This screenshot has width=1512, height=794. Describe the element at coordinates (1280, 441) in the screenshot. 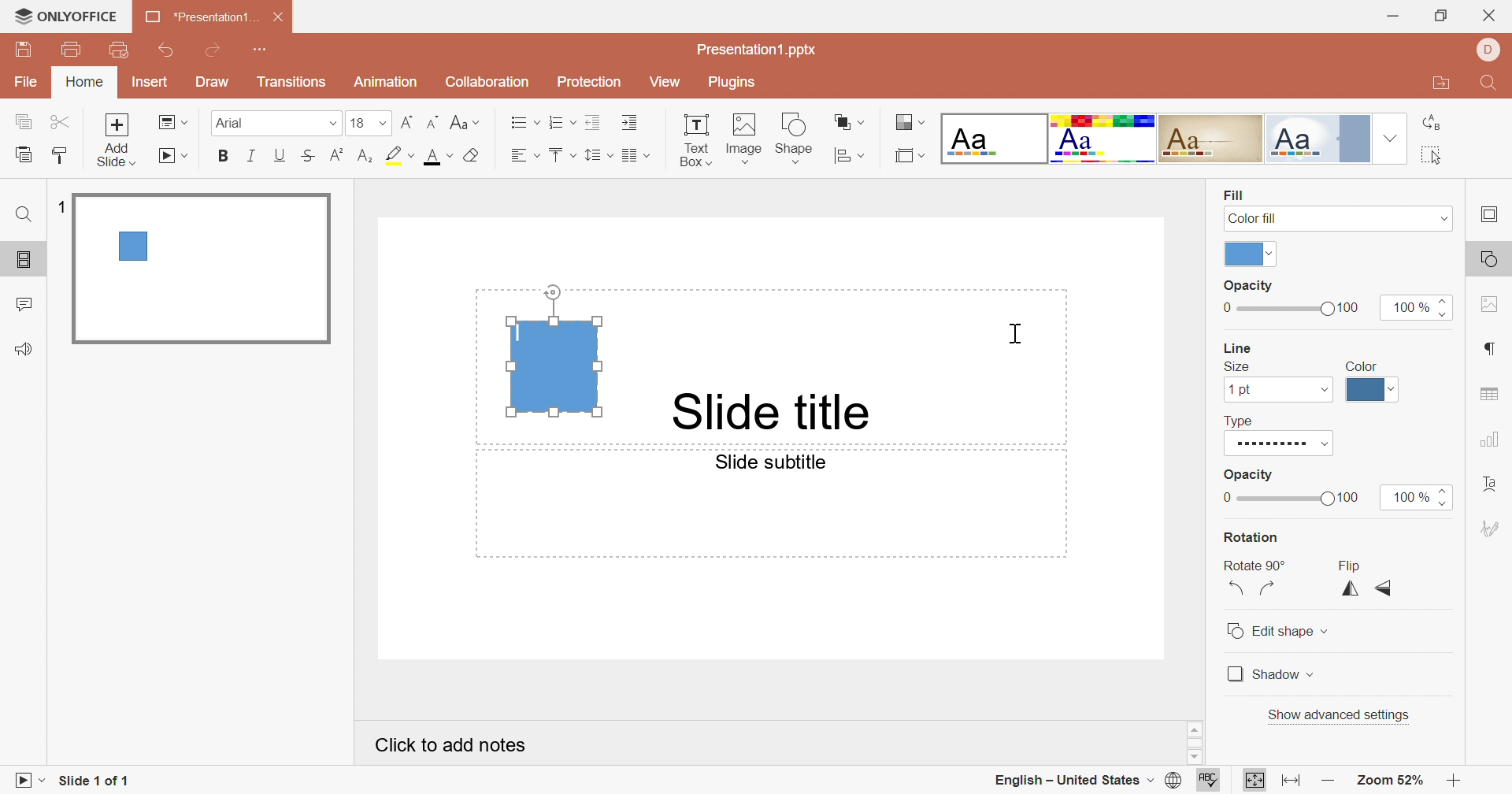

I see `Type of Line` at that location.